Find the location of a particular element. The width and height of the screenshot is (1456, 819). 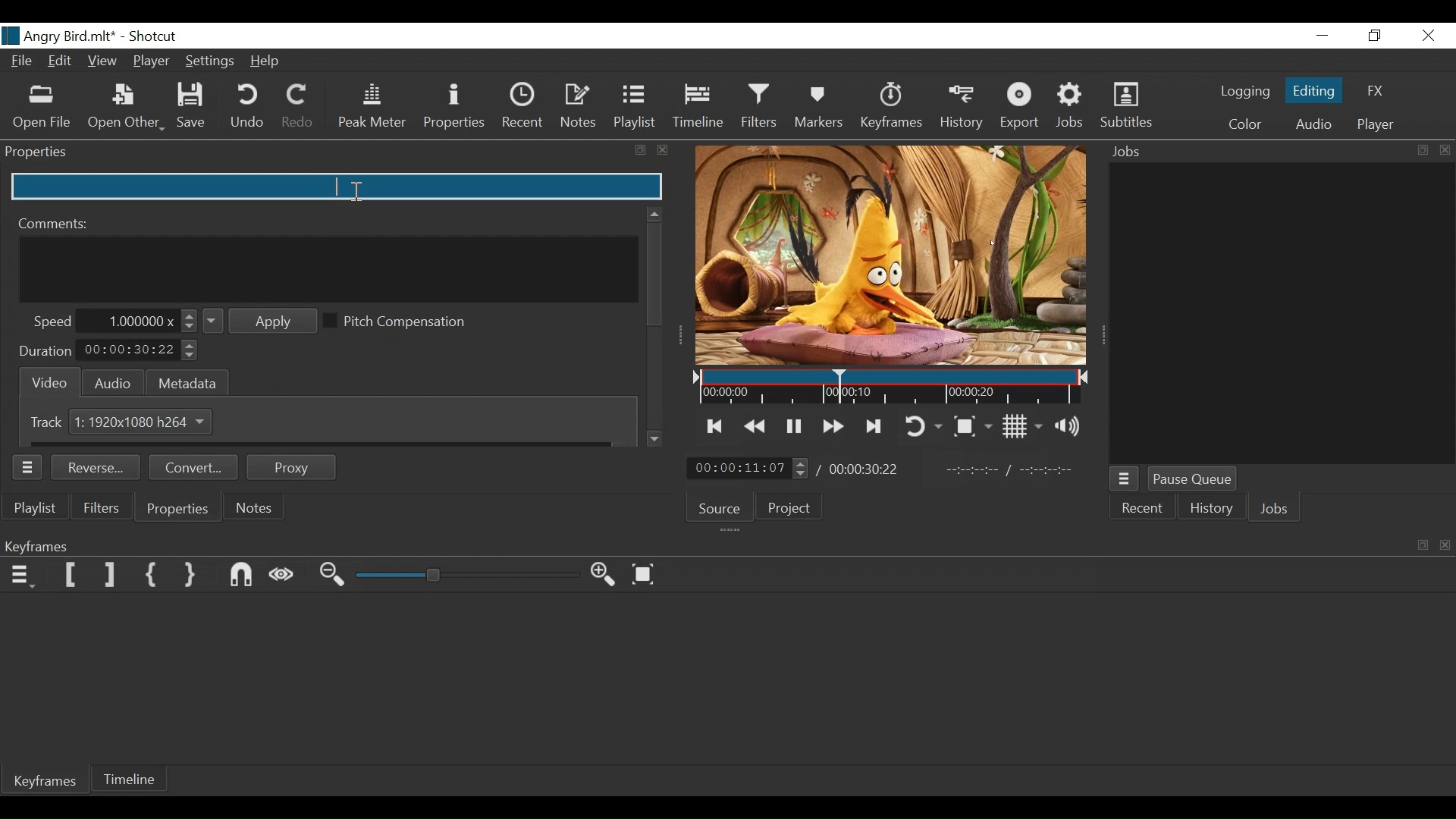

Redo is located at coordinates (298, 108).